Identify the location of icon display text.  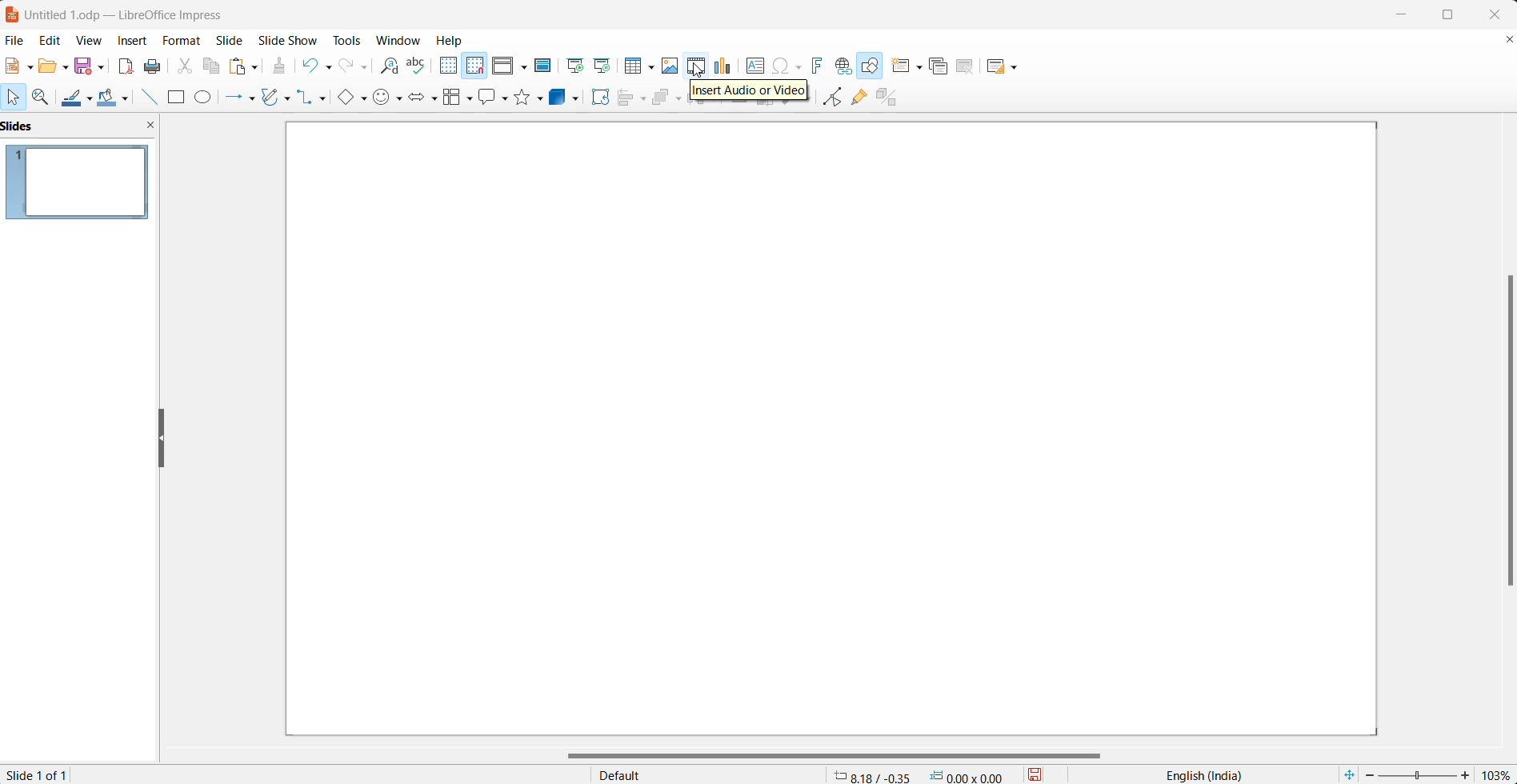
(751, 92).